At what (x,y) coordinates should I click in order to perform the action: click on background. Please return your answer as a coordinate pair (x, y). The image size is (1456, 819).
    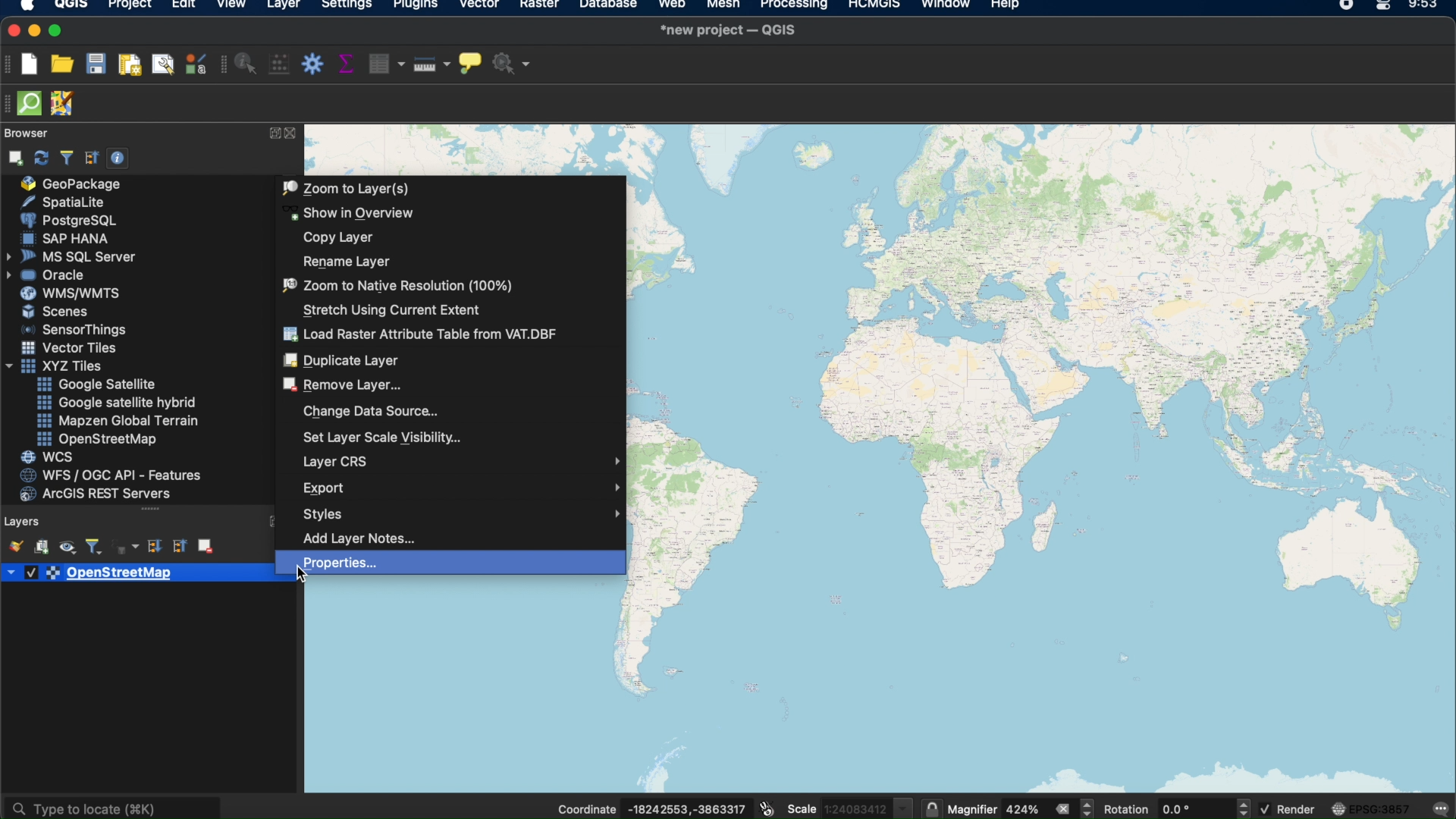
    Looking at the image, I should click on (1041, 460).